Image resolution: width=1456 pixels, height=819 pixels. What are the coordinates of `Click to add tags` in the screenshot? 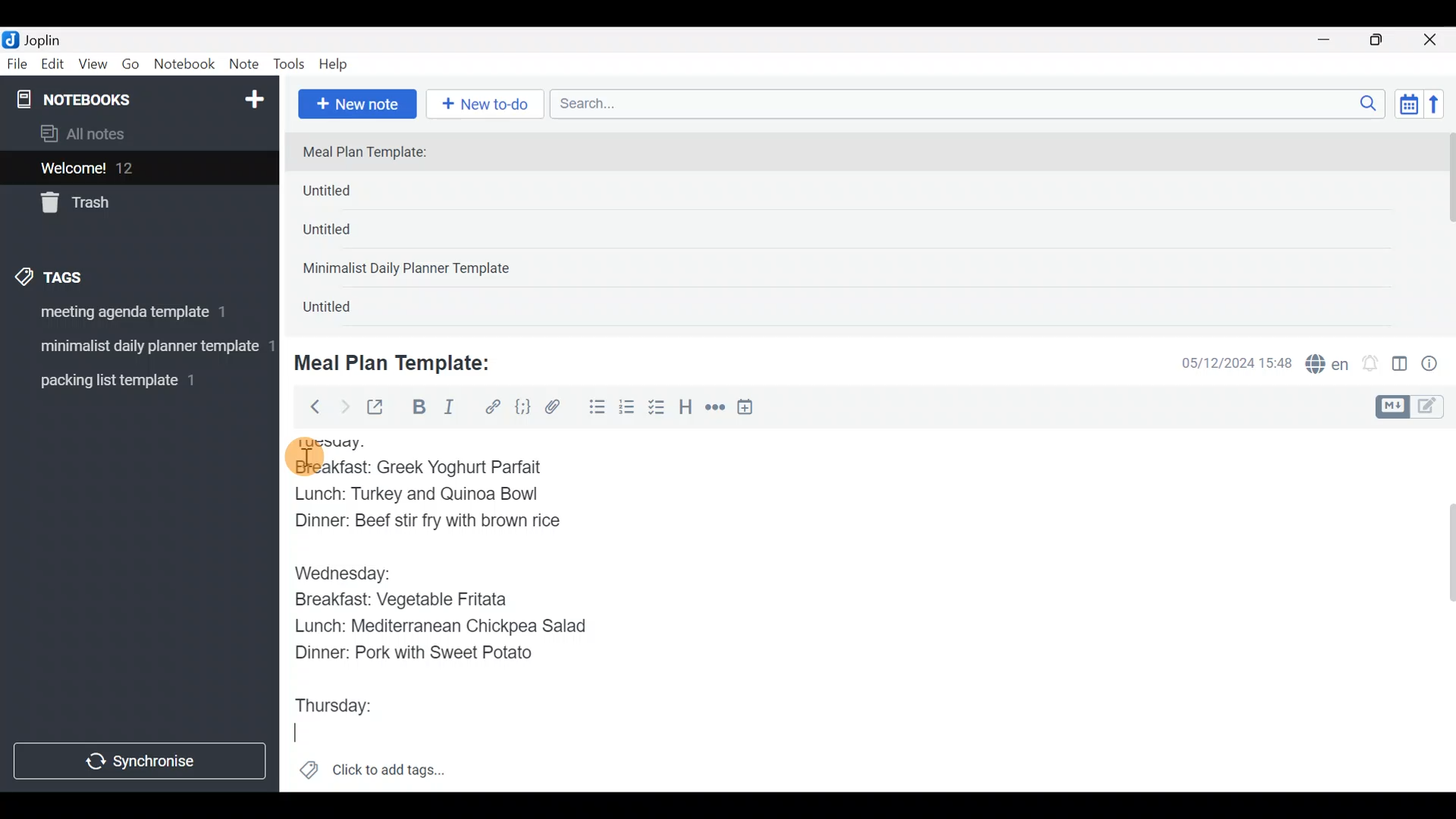 It's located at (372, 775).